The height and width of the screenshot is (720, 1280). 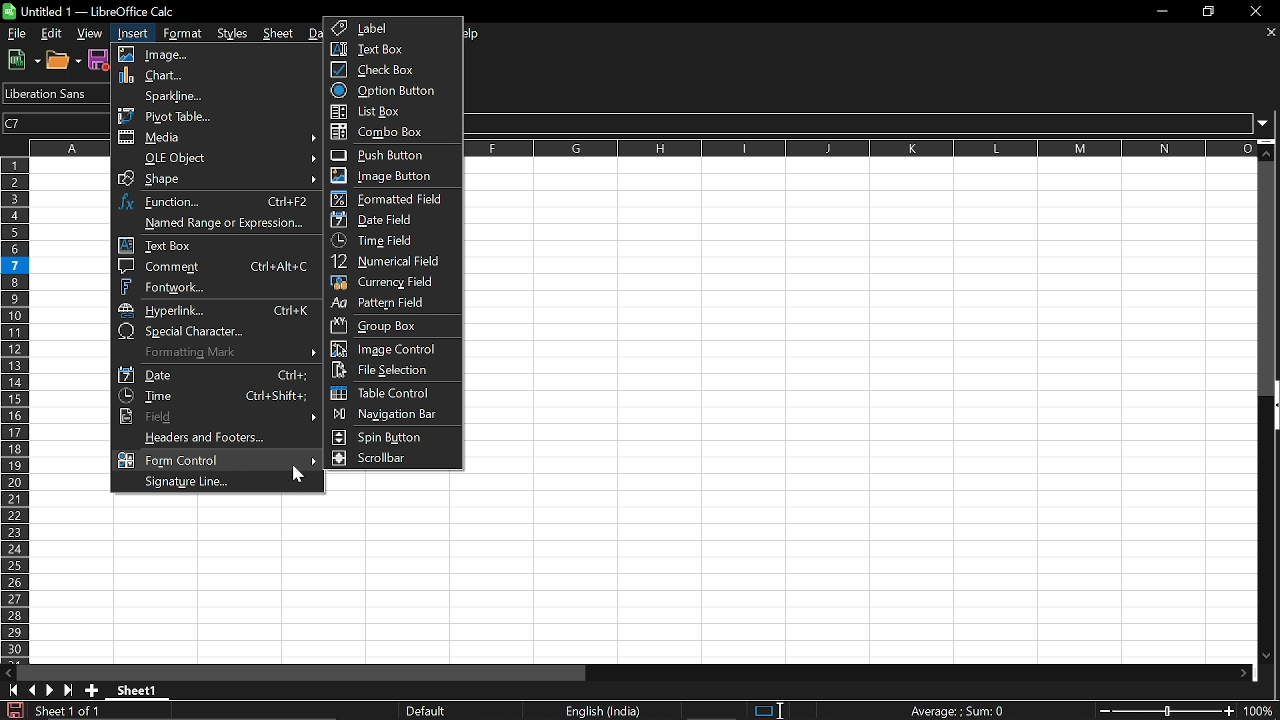 What do you see at coordinates (8, 673) in the screenshot?
I see `MOve left` at bounding box center [8, 673].